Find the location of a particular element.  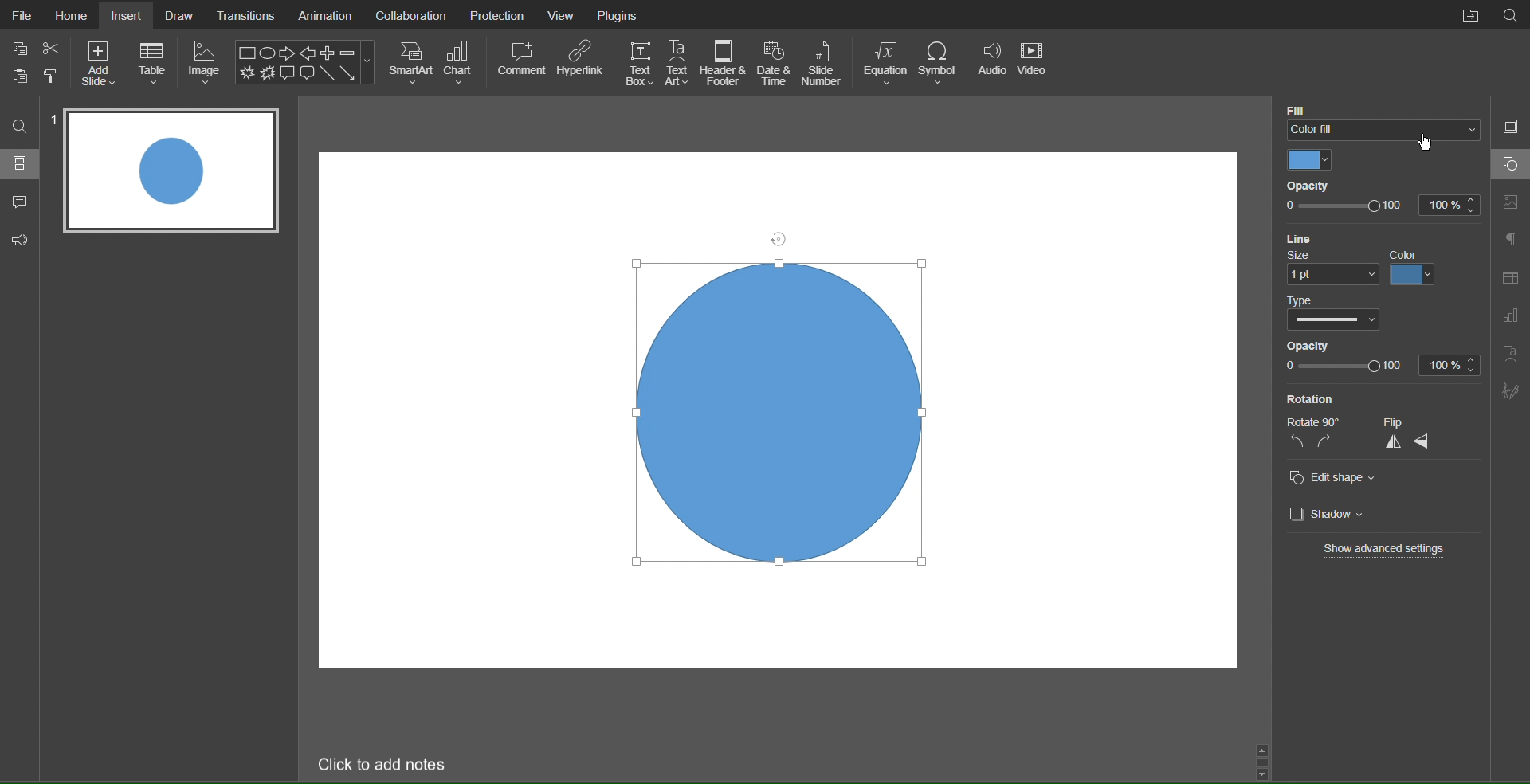

Open File Location is located at coordinates (1470, 15).